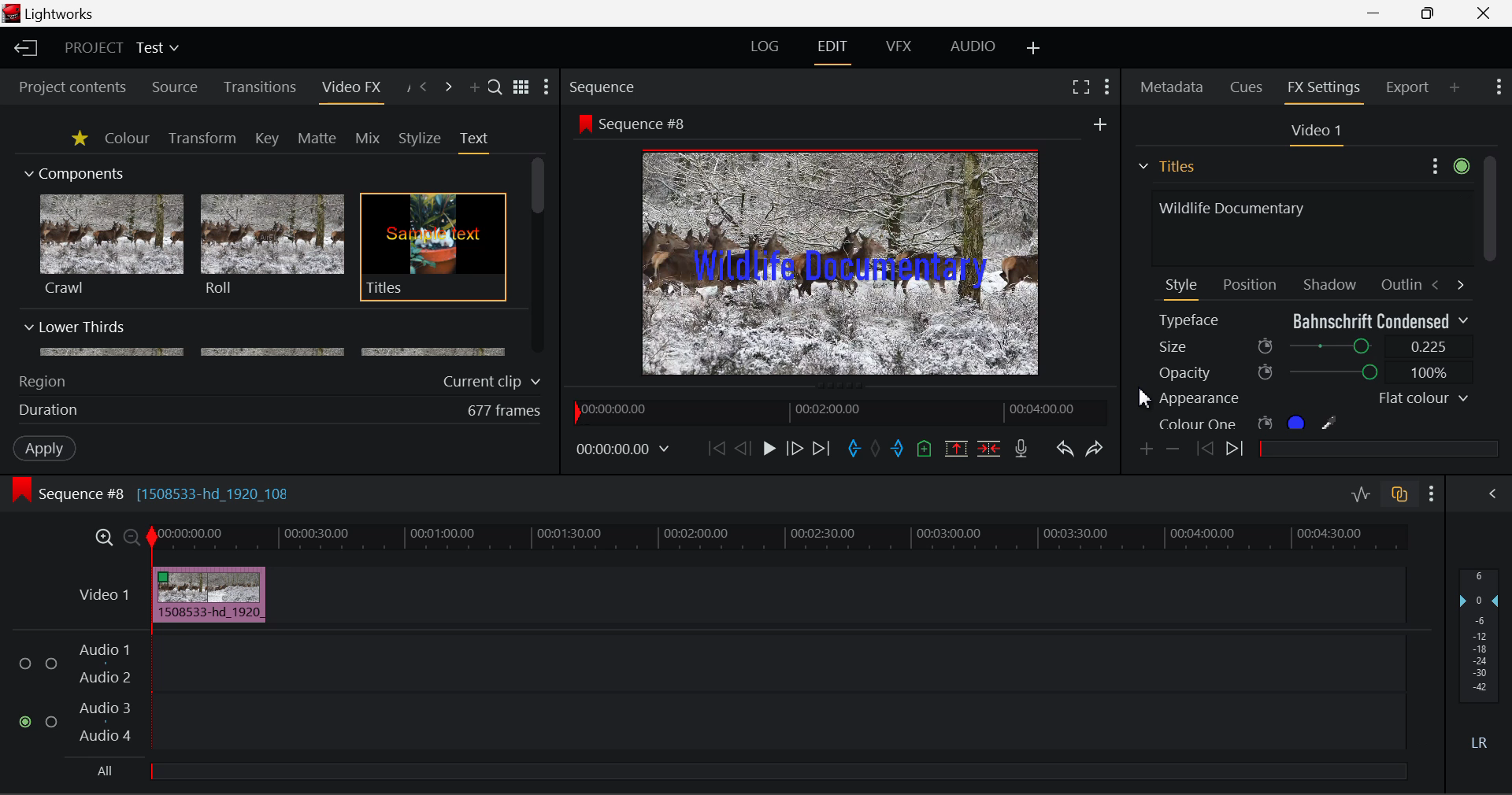 Image resolution: width=1512 pixels, height=795 pixels. Describe the element at coordinates (844, 265) in the screenshot. I see `Text Size Updated in Preview` at that location.